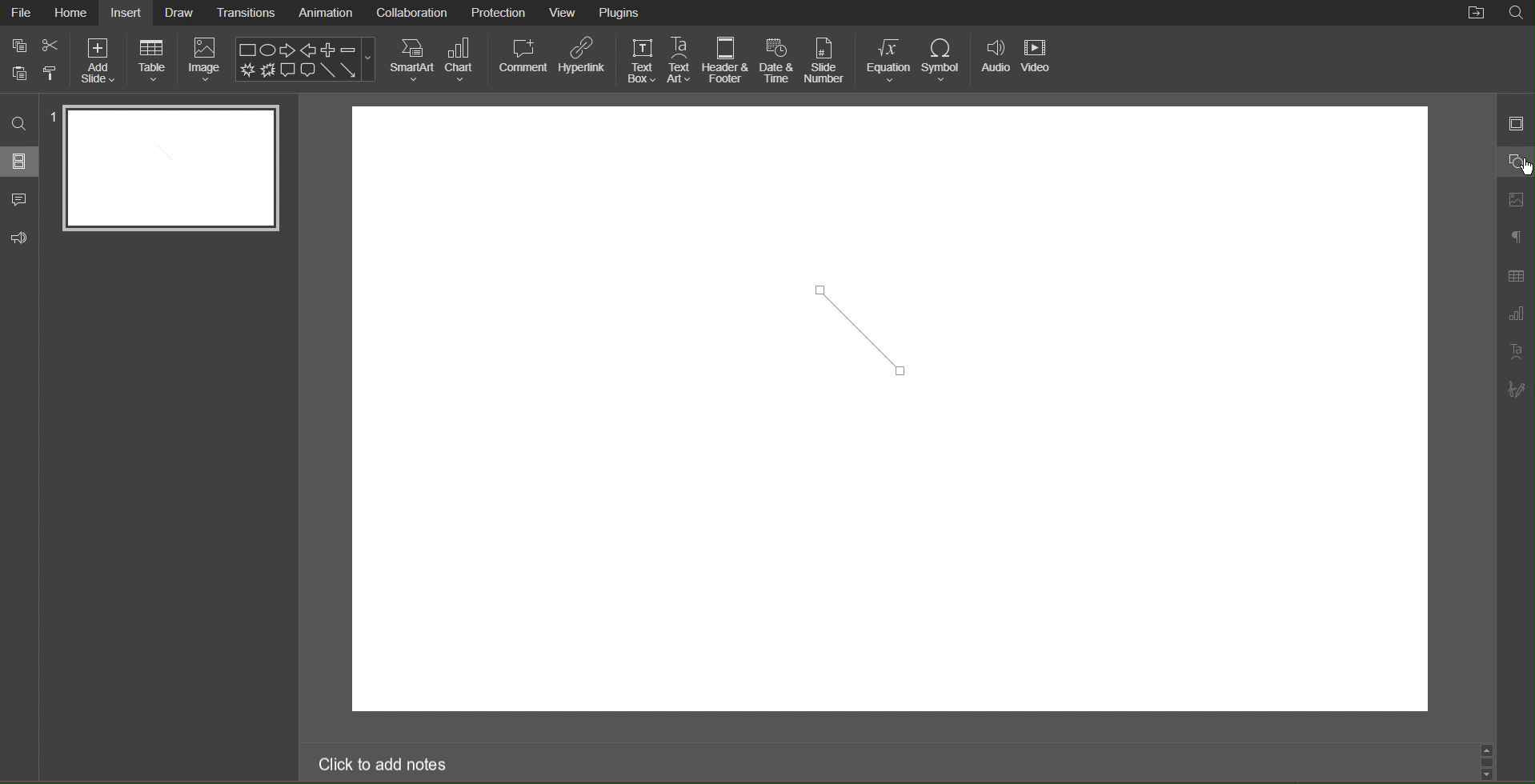  What do you see at coordinates (98, 61) in the screenshot?
I see `Add Slide` at bounding box center [98, 61].